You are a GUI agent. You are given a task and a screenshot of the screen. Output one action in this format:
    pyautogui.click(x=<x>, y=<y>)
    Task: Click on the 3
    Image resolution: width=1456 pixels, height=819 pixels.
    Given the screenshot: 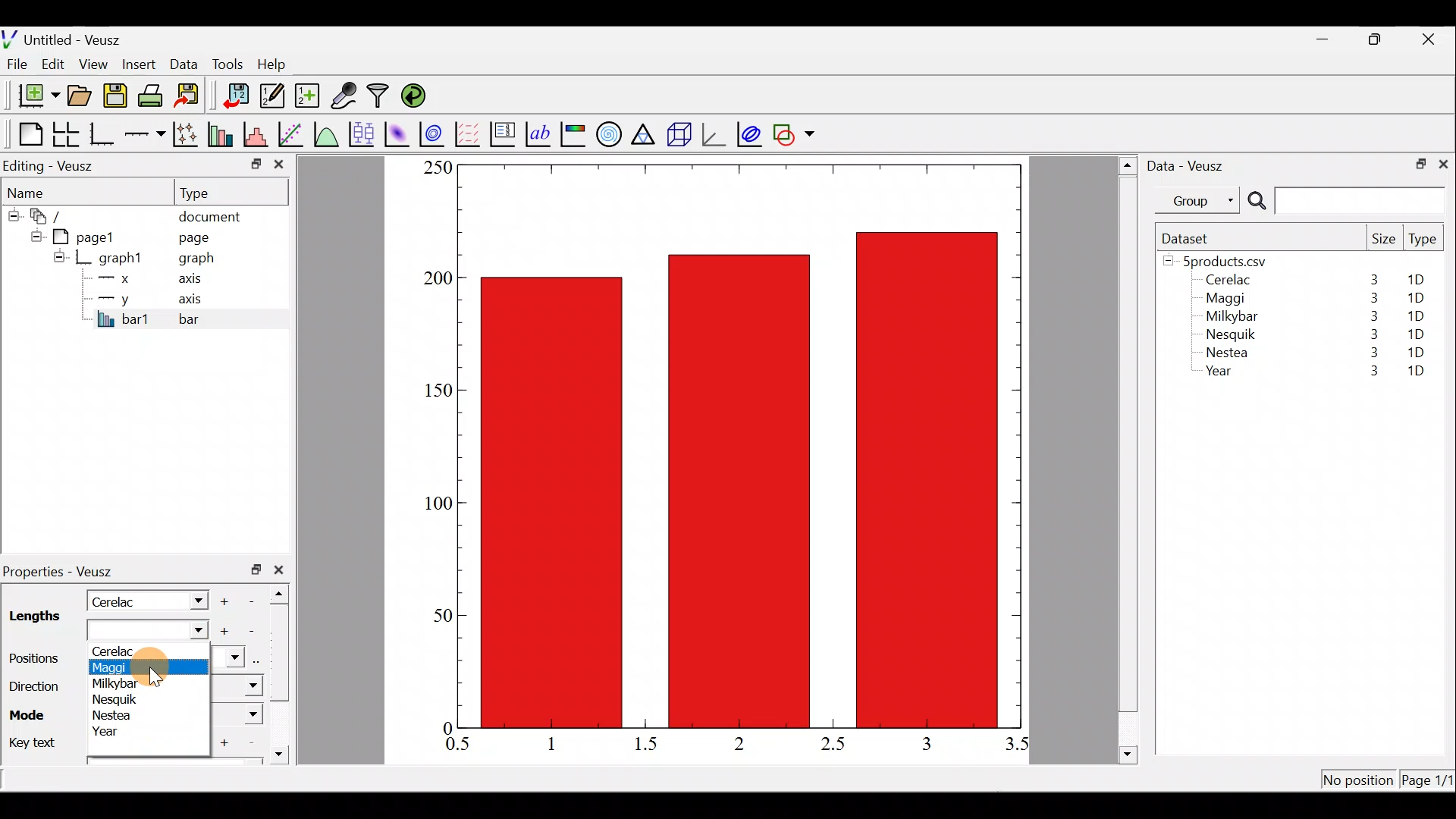 What is the action you would take?
    pyautogui.click(x=1370, y=298)
    